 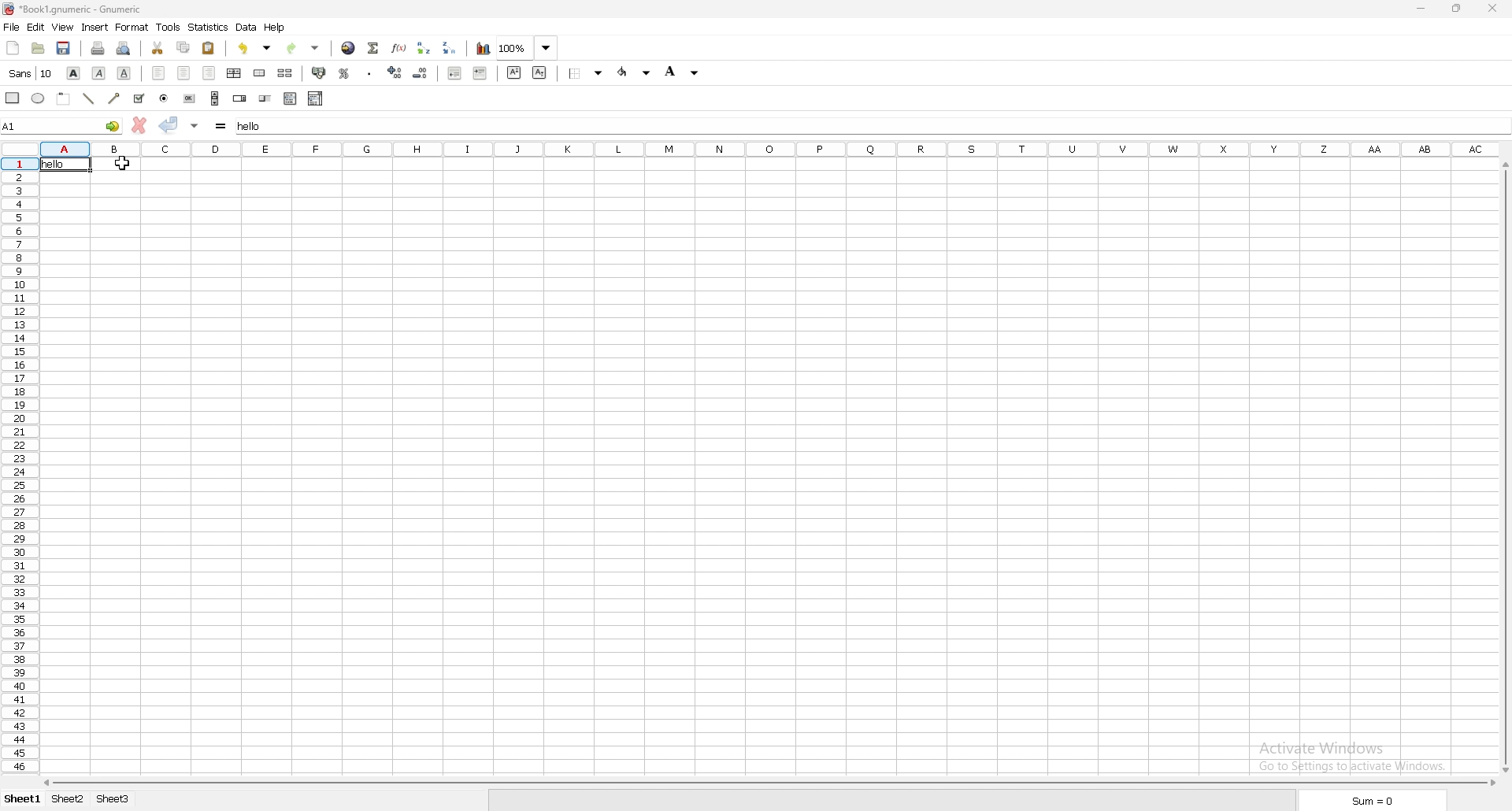 What do you see at coordinates (346, 72) in the screenshot?
I see `percentage` at bounding box center [346, 72].